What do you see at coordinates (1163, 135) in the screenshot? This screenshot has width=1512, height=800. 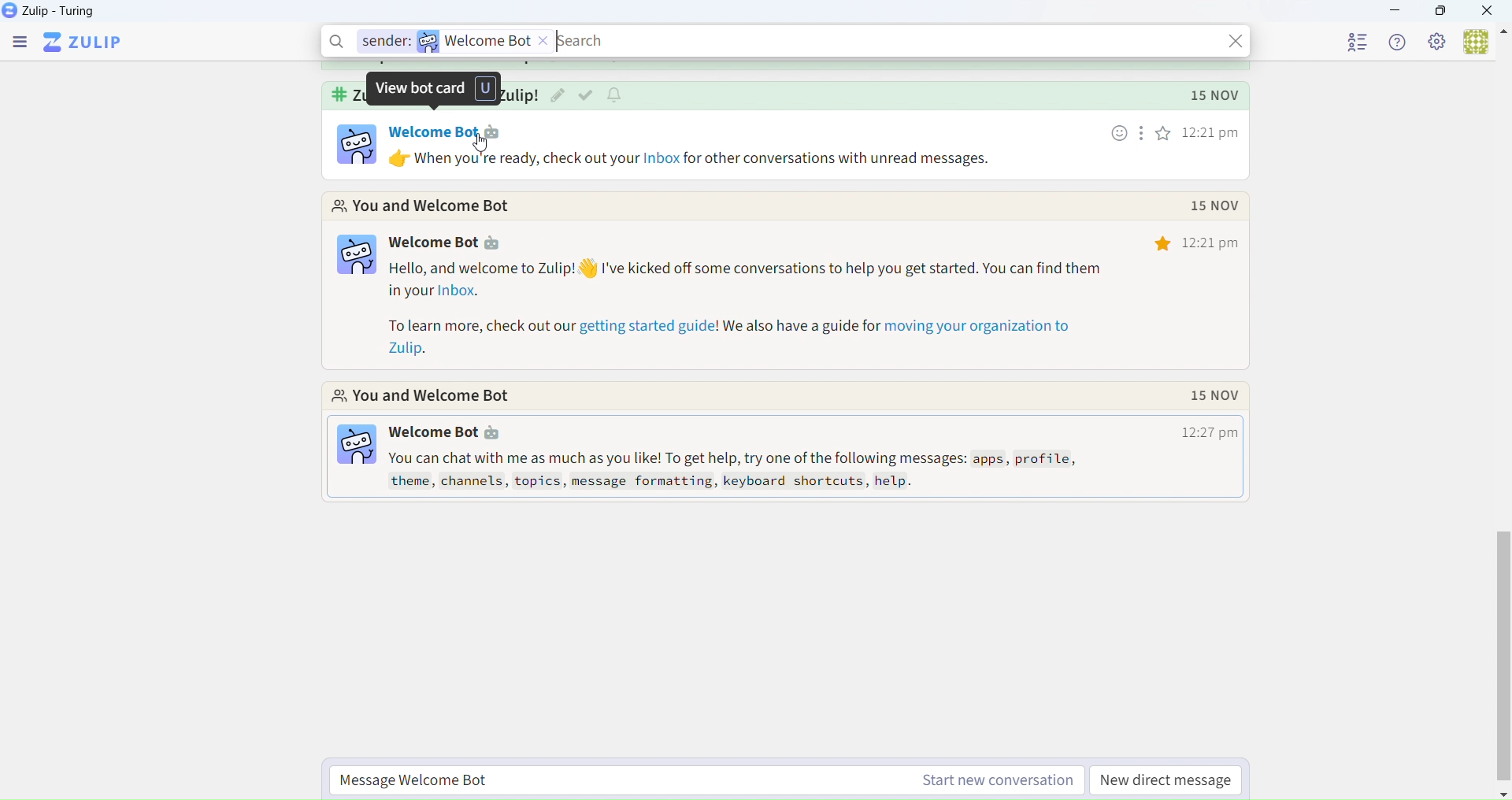 I see `star` at bounding box center [1163, 135].